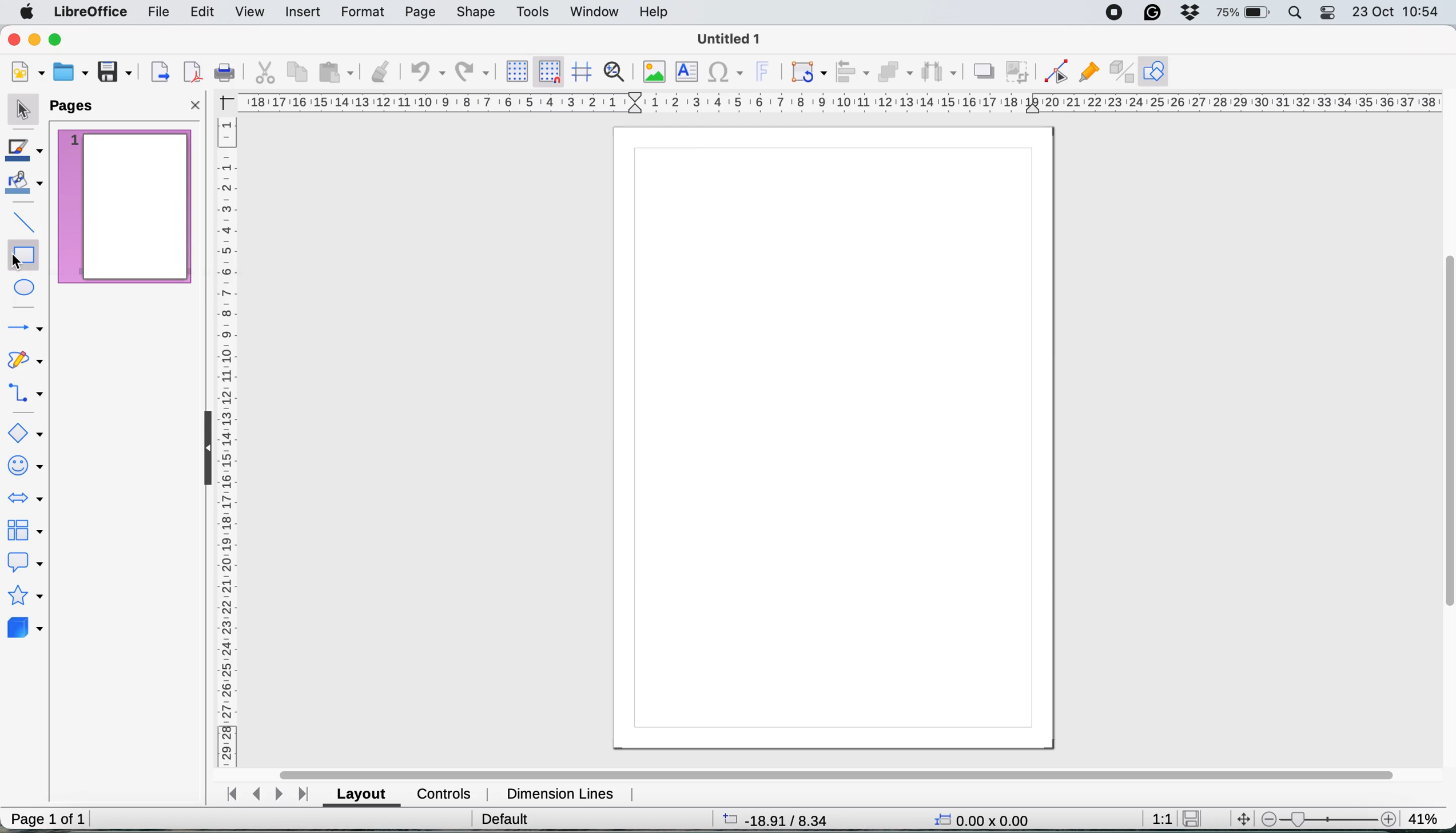 Image resolution: width=1456 pixels, height=833 pixels. Describe the element at coordinates (1245, 13) in the screenshot. I see `battery` at that location.